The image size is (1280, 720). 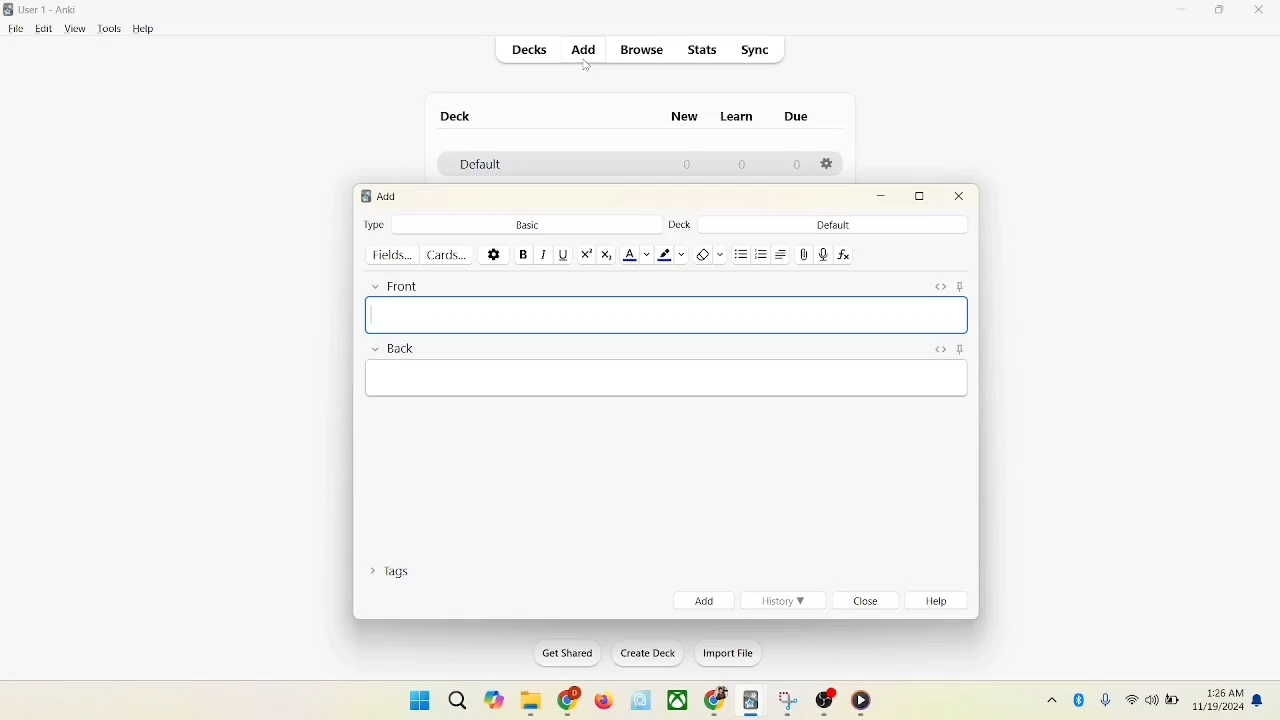 What do you see at coordinates (938, 348) in the screenshot?
I see `HTML editor` at bounding box center [938, 348].